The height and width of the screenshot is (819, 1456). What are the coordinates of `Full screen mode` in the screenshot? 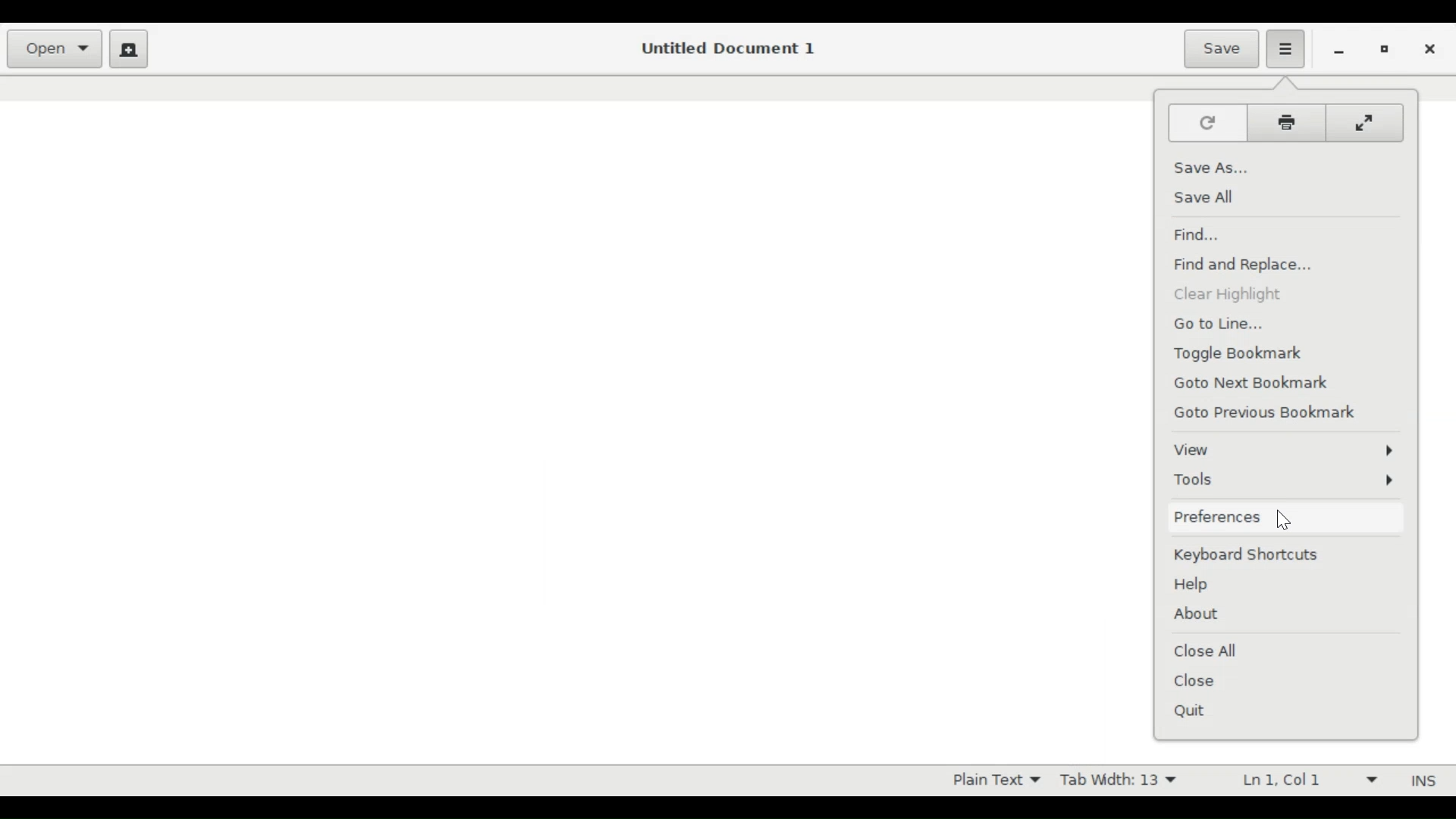 It's located at (1362, 122).